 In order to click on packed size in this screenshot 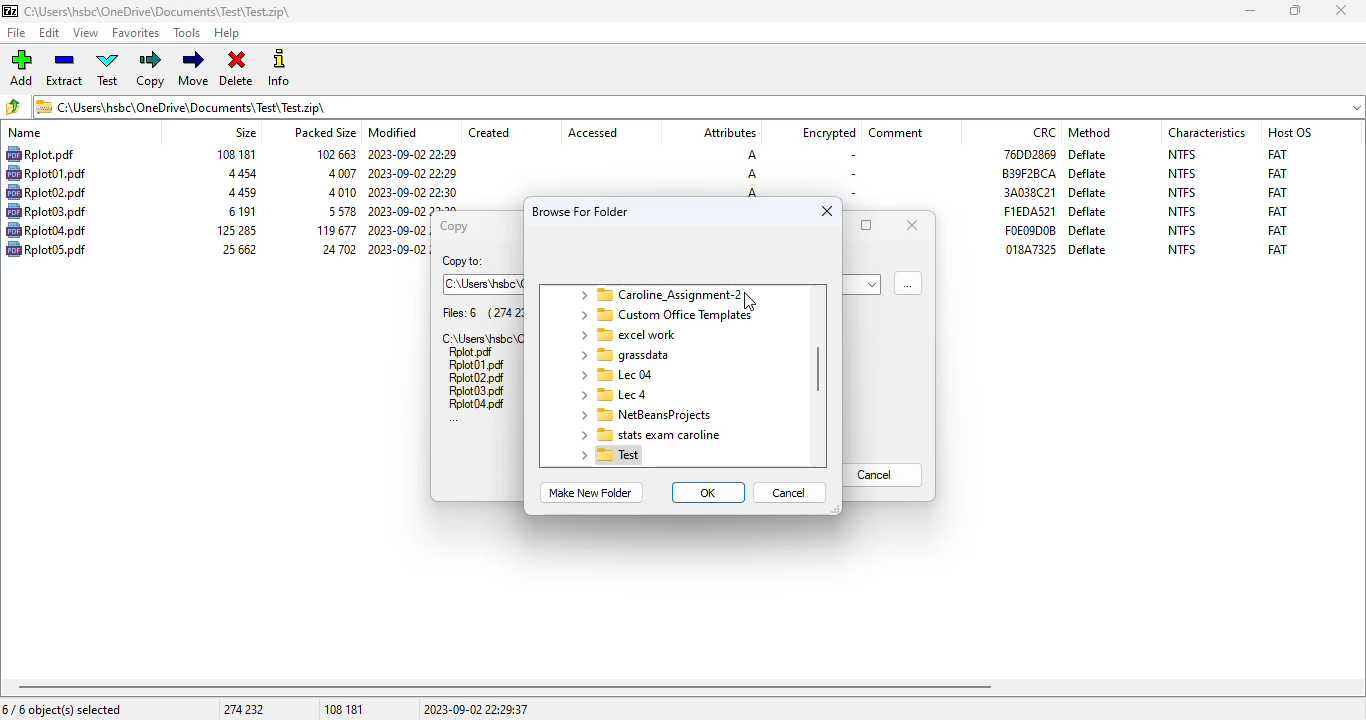, I will do `click(333, 230)`.